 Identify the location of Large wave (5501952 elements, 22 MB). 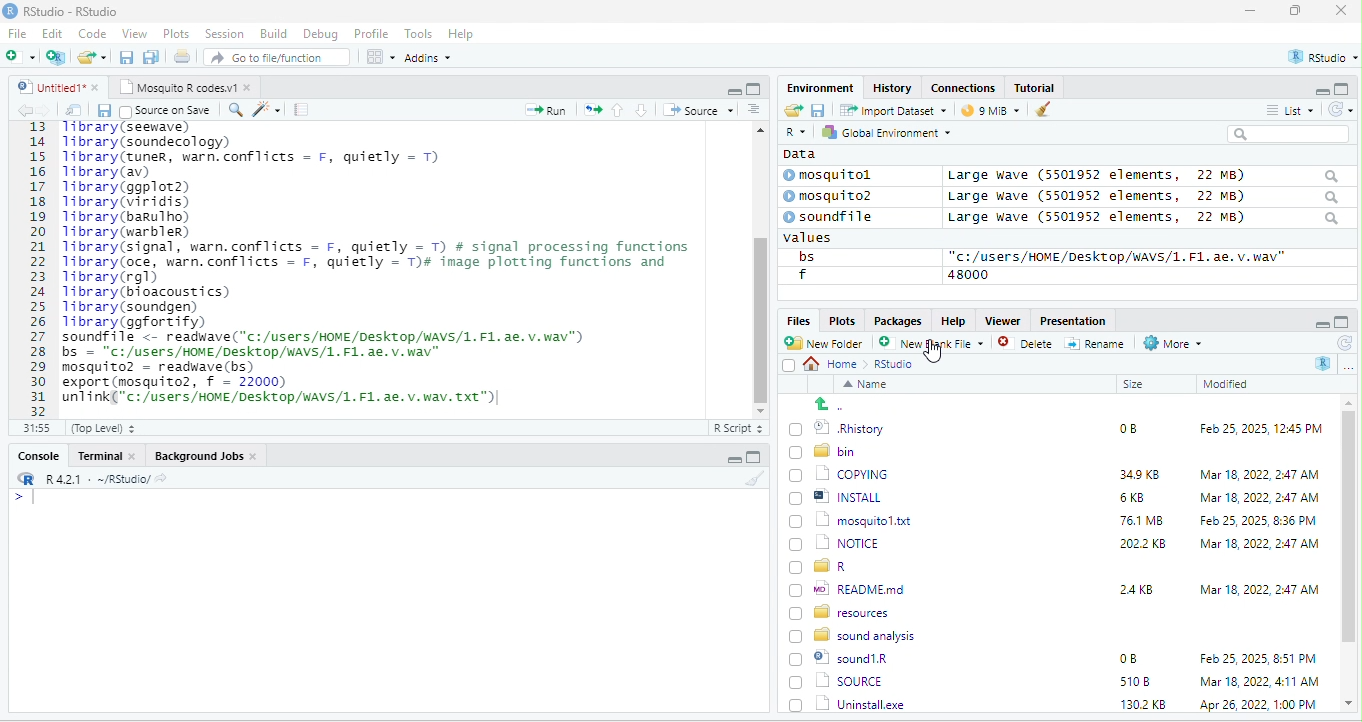
(1144, 219).